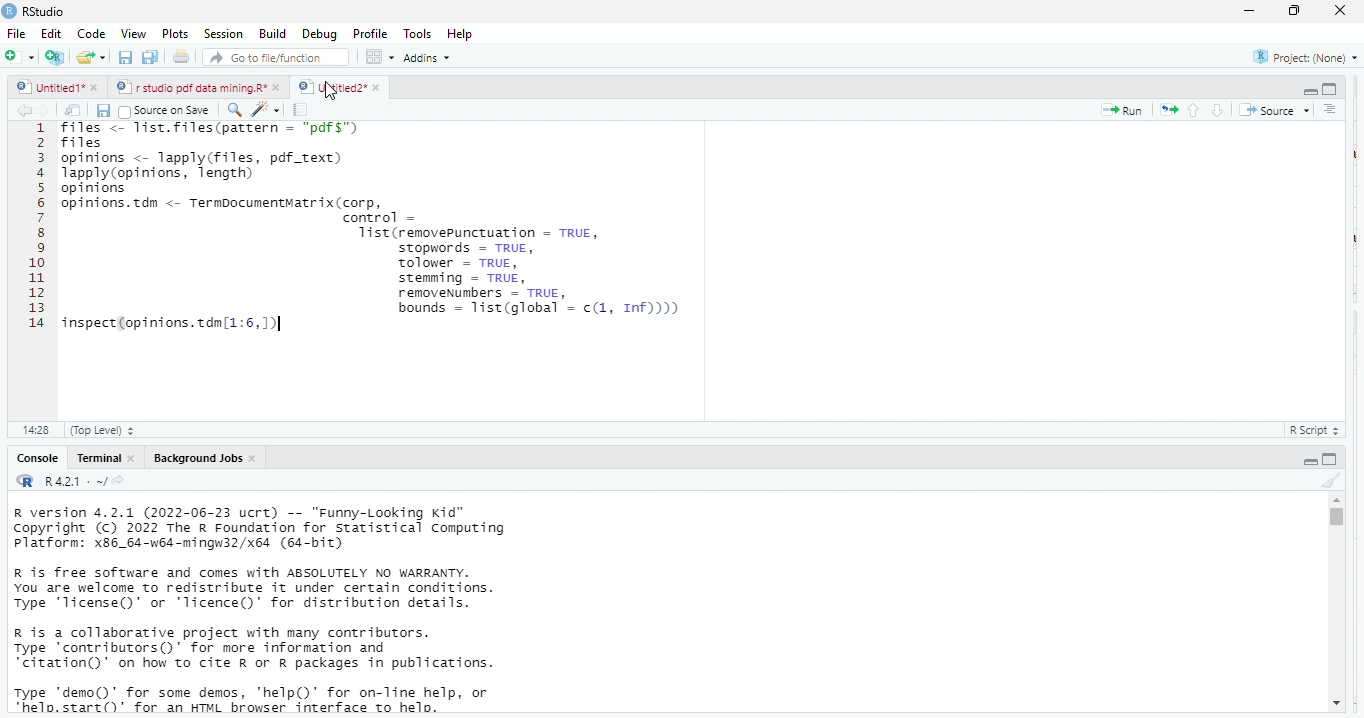  I want to click on cursor movement, so click(332, 92).